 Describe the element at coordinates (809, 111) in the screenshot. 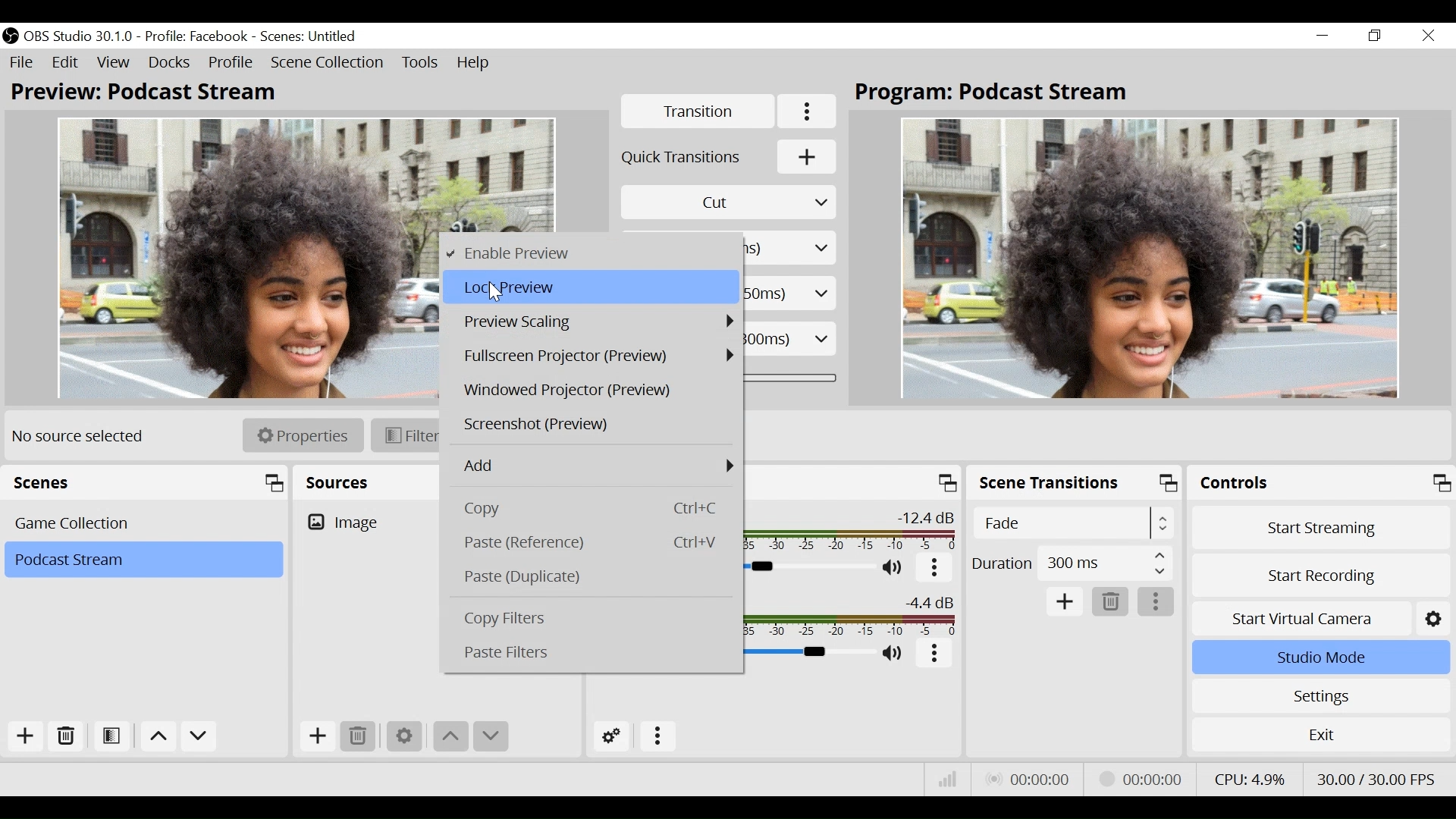

I see `More` at that location.